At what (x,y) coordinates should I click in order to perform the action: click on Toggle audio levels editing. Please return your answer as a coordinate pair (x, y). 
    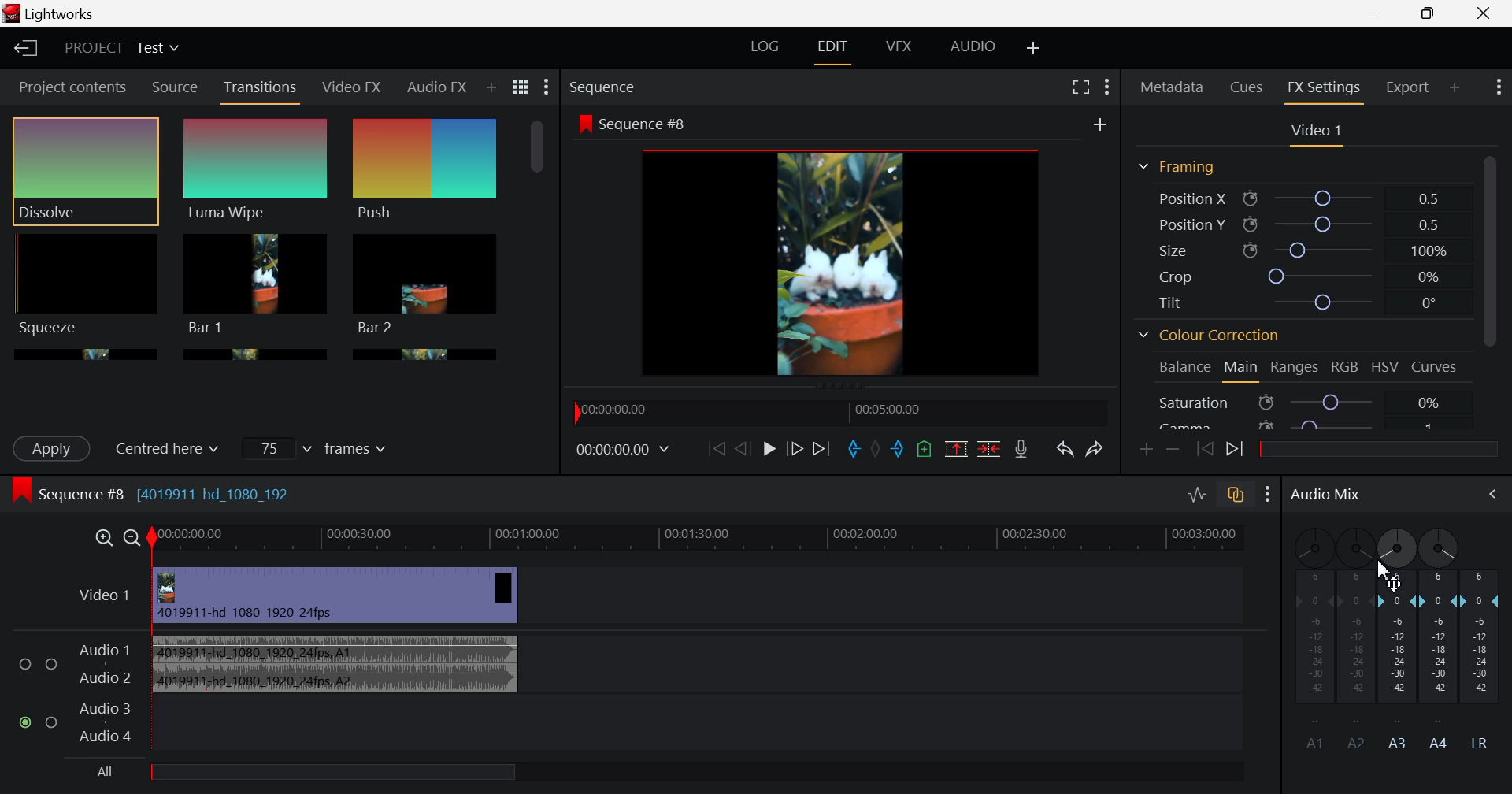
    Looking at the image, I should click on (1196, 497).